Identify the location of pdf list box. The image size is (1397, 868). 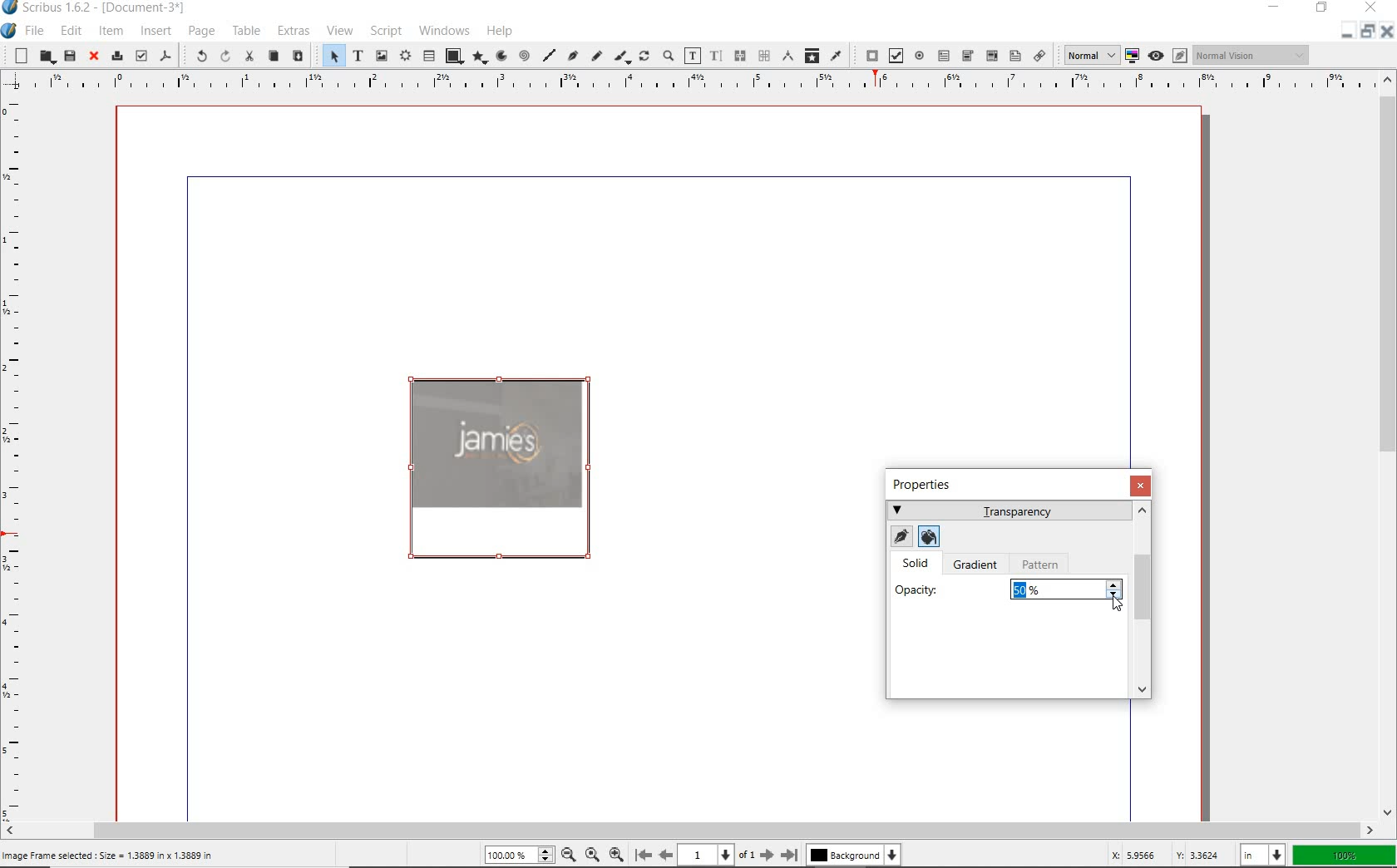
(1014, 55).